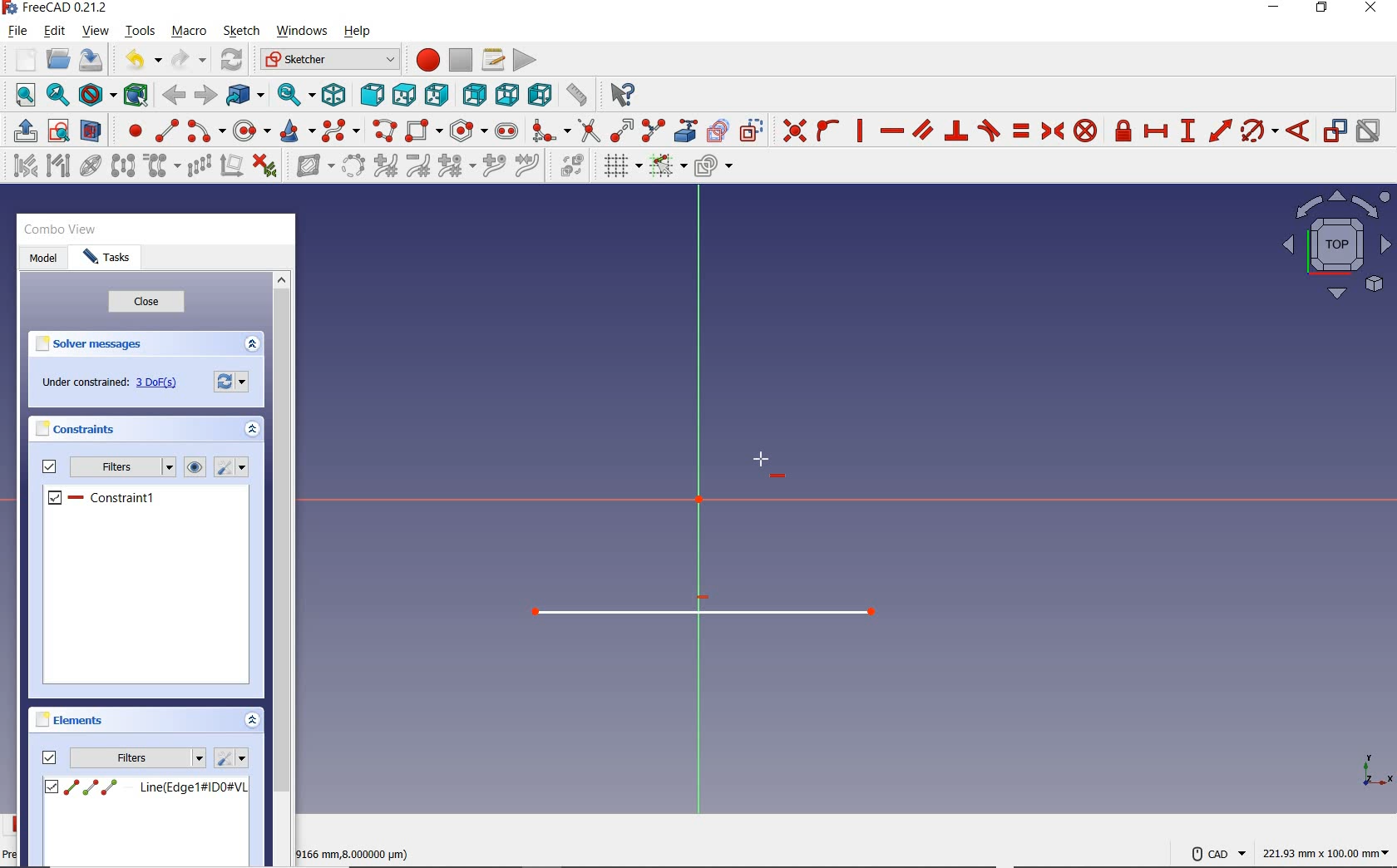 The height and width of the screenshot is (868, 1397). What do you see at coordinates (437, 94) in the screenshot?
I see `RIGHT` at bounding box center [437, 94].